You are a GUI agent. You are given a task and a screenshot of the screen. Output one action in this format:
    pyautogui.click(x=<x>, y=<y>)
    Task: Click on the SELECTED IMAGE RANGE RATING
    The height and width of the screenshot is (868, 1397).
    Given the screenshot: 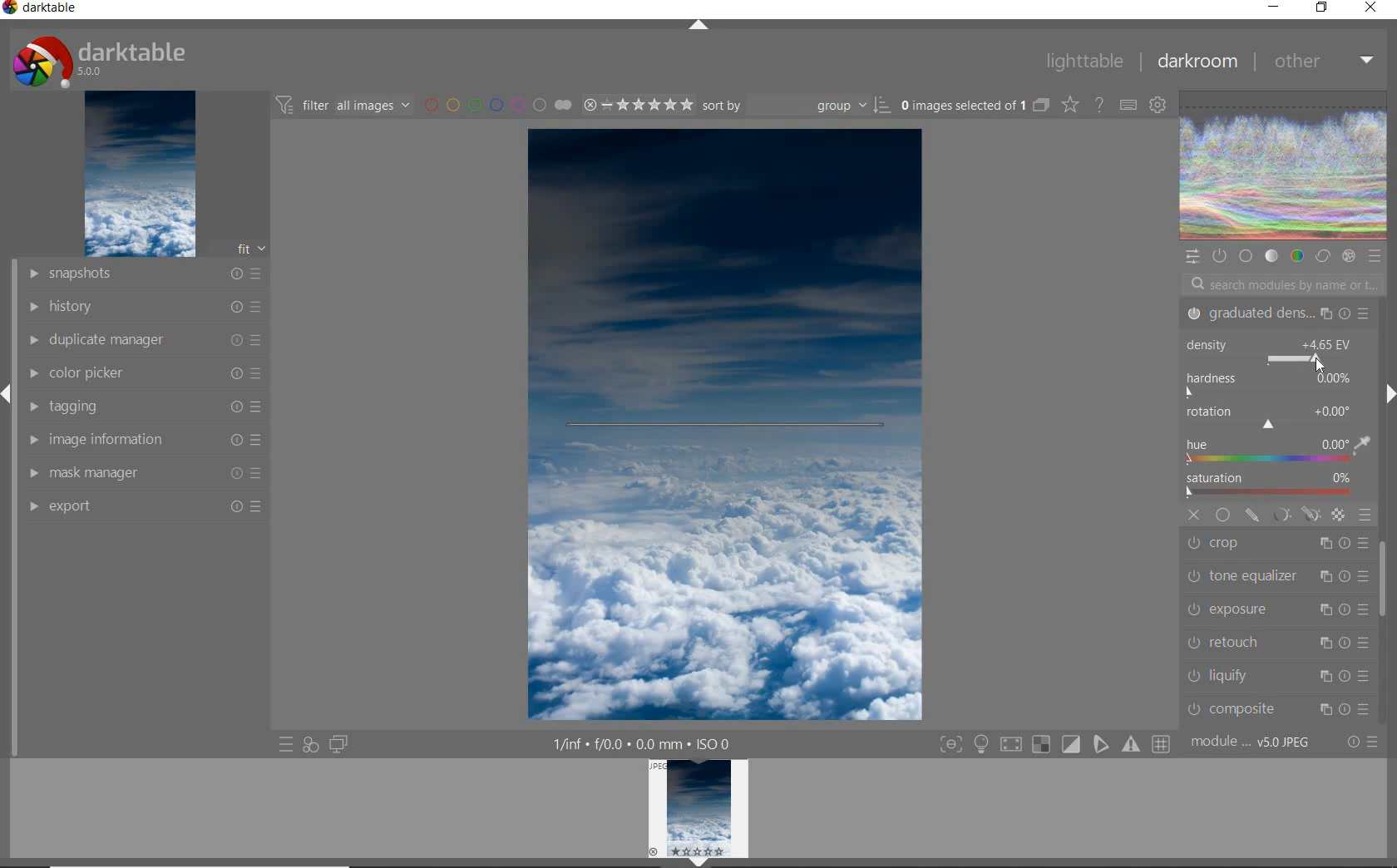 What is the action you would take?
    pyautogui.click(x=635, y=102)
    